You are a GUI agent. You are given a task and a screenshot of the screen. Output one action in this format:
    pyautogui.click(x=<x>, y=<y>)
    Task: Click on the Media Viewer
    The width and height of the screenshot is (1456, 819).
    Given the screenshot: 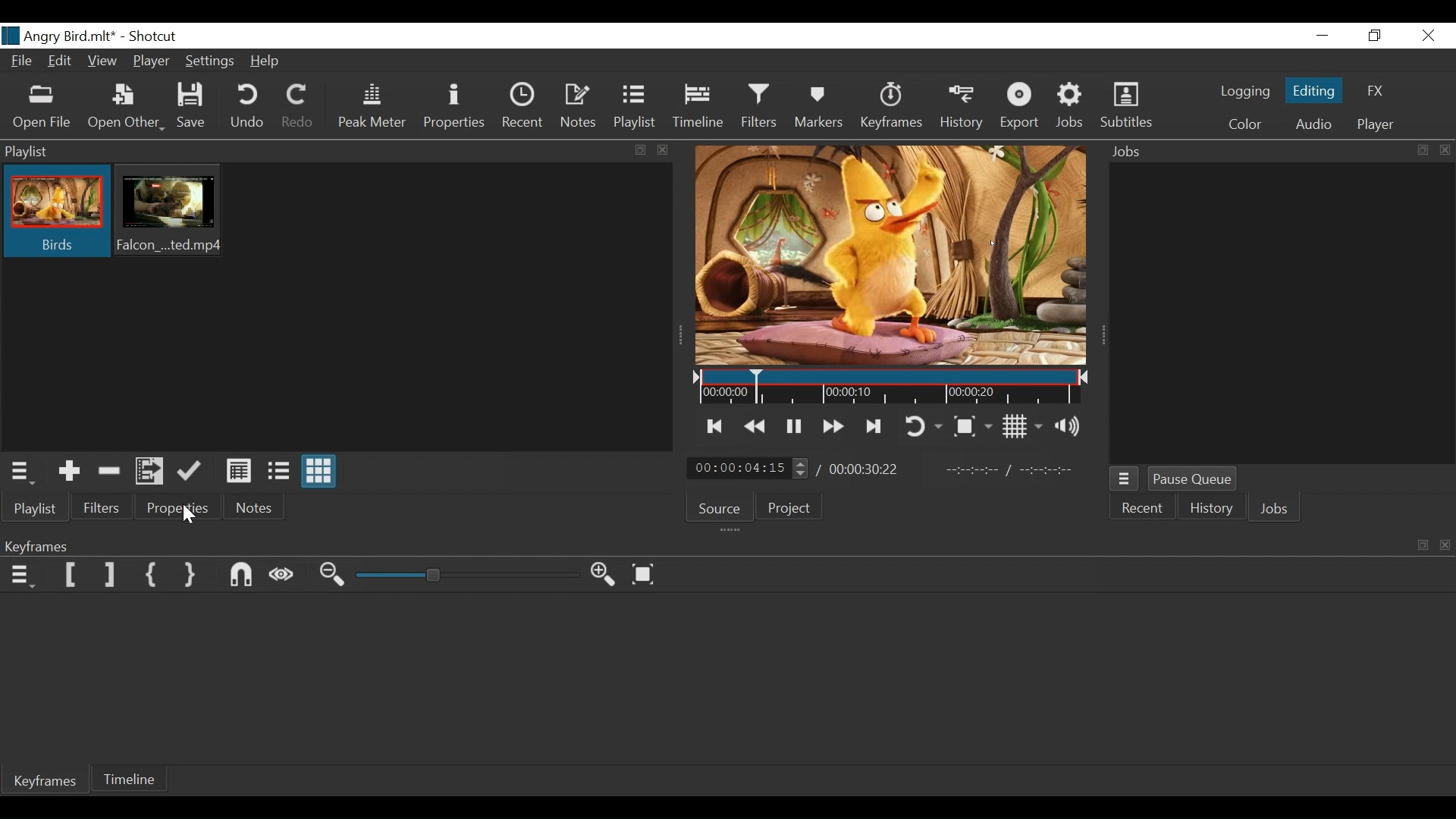 What is the action you would take?
    pyautogui.click(x=888, y=256)
    